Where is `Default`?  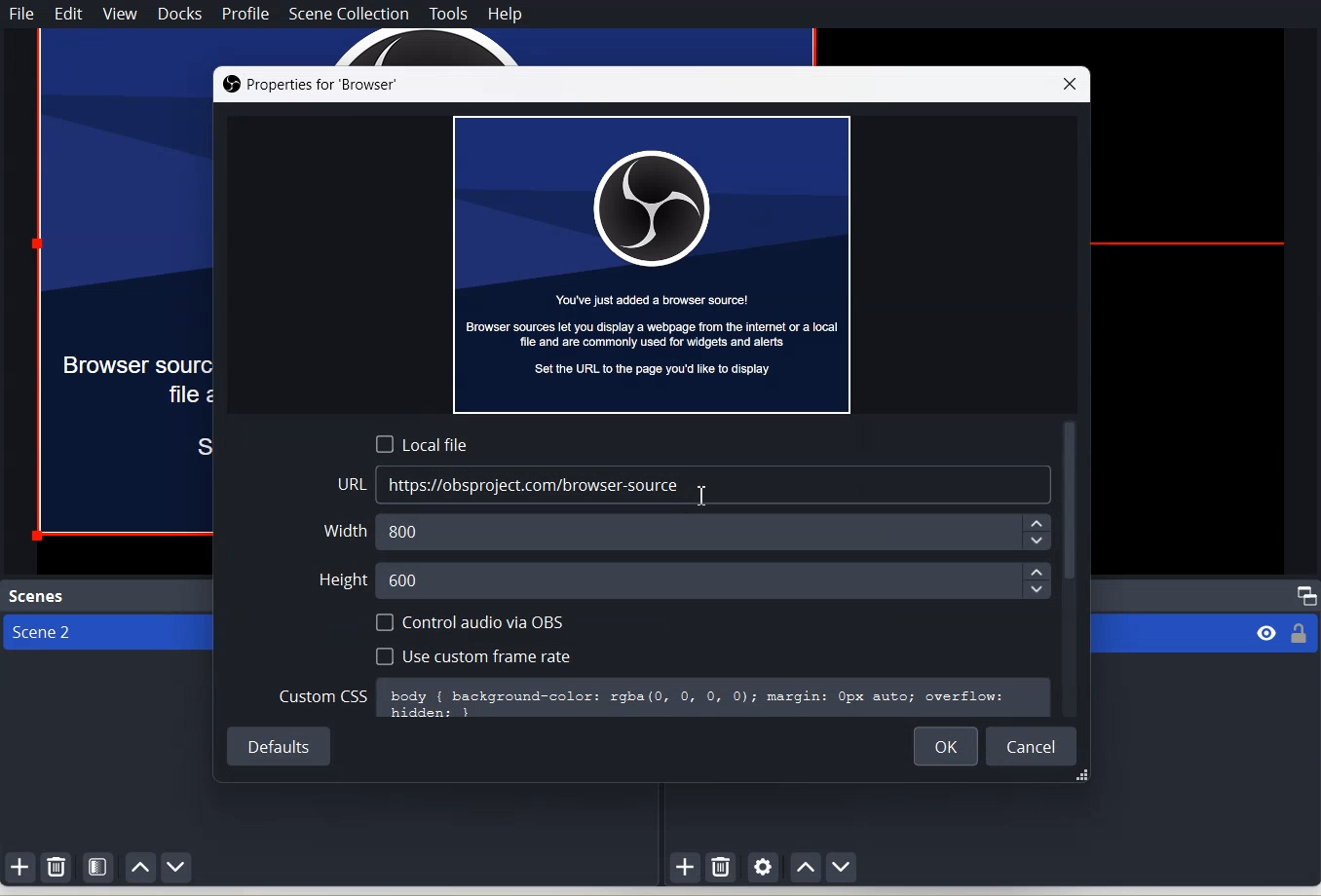 Default is located at coordinates (278, 745).